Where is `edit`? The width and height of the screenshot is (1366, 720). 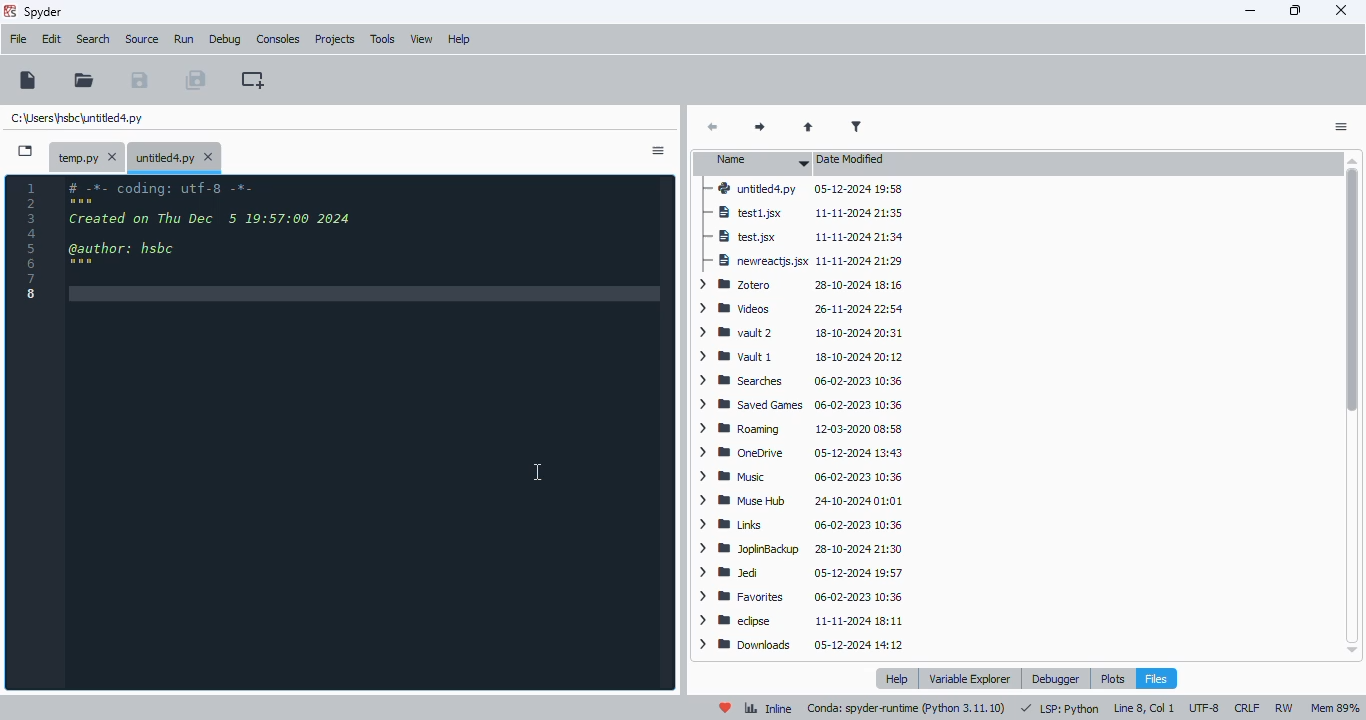
edit is located at coordinates (52, 39).